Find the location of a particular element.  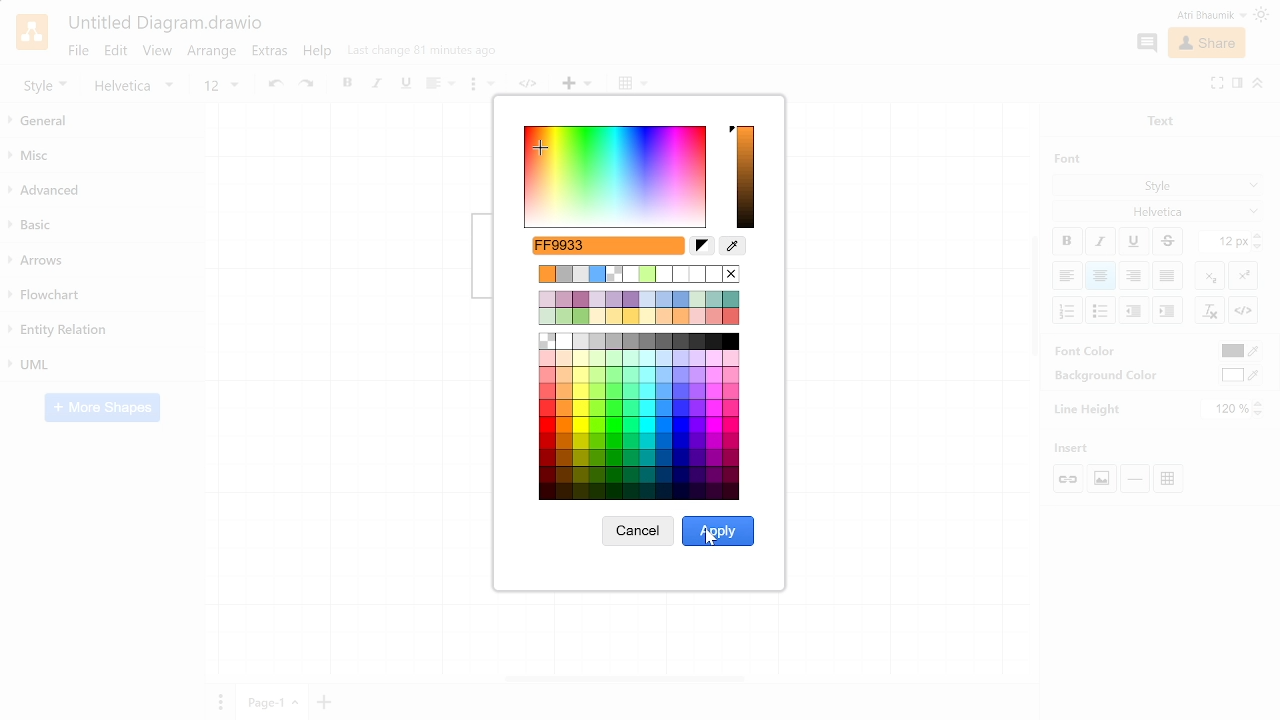

font color is located at coordinates (1087, 350).